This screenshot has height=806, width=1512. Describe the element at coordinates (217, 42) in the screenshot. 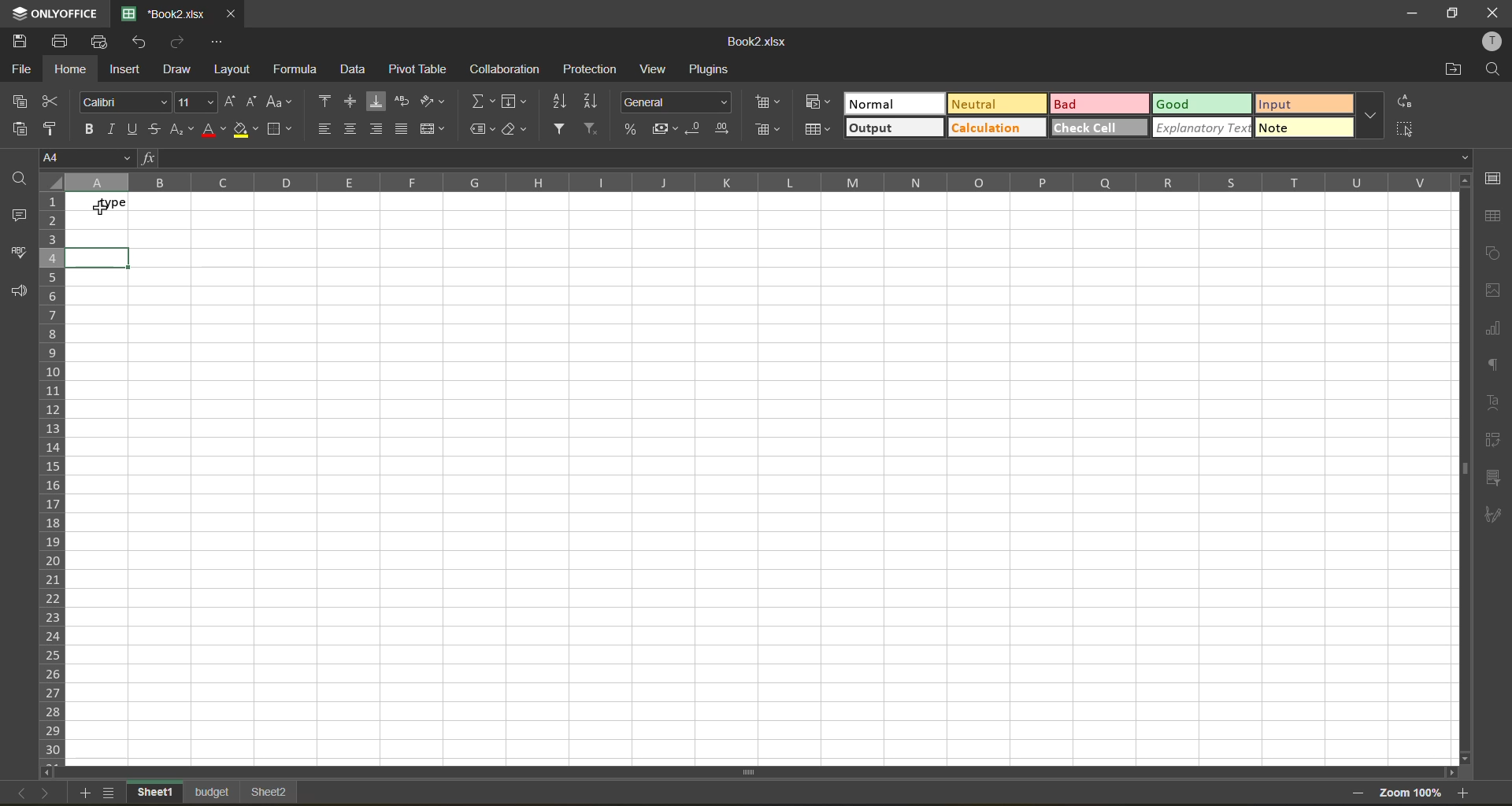

I see `customize quick access toolbar` at that location.